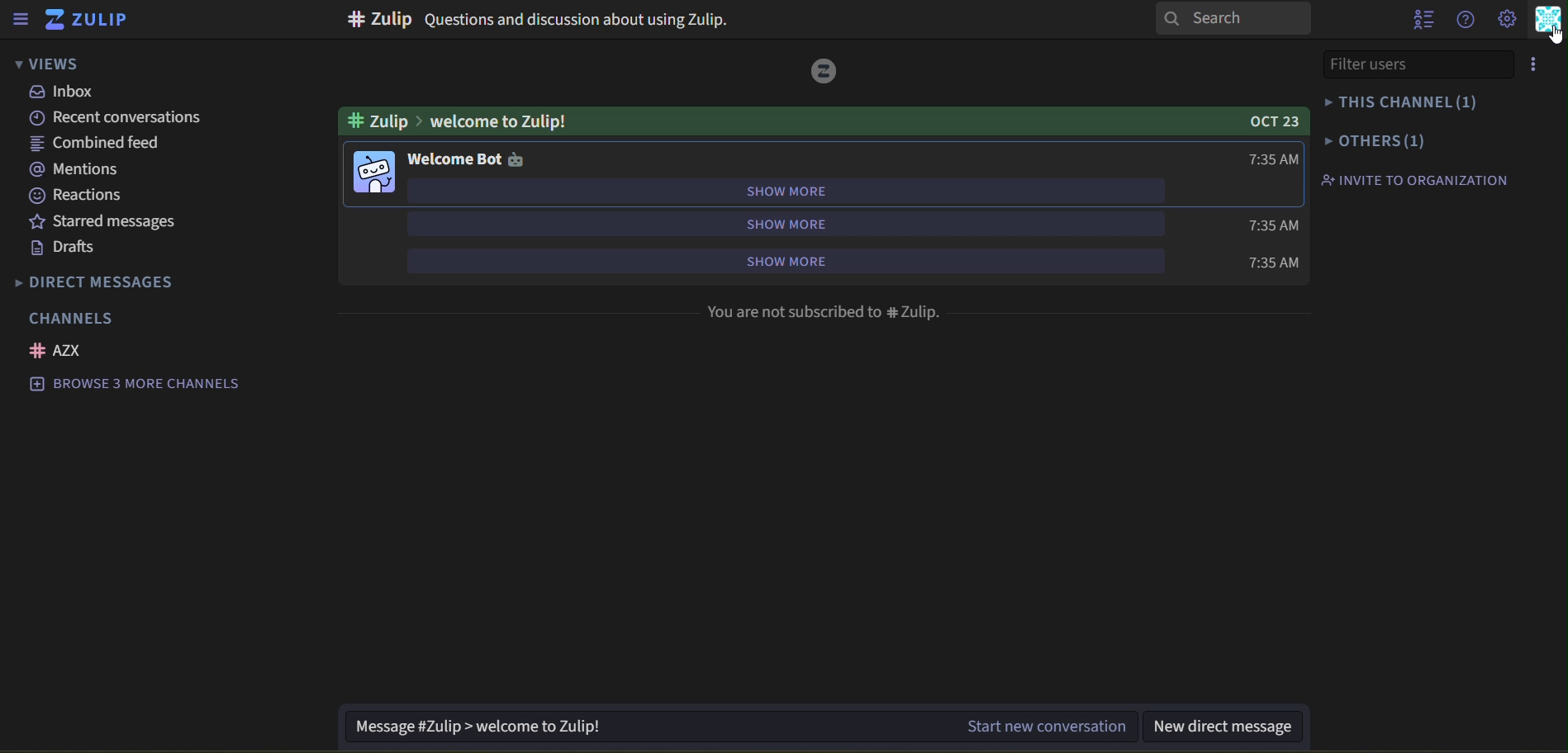  I want to click on mentions, so click(75, 169).